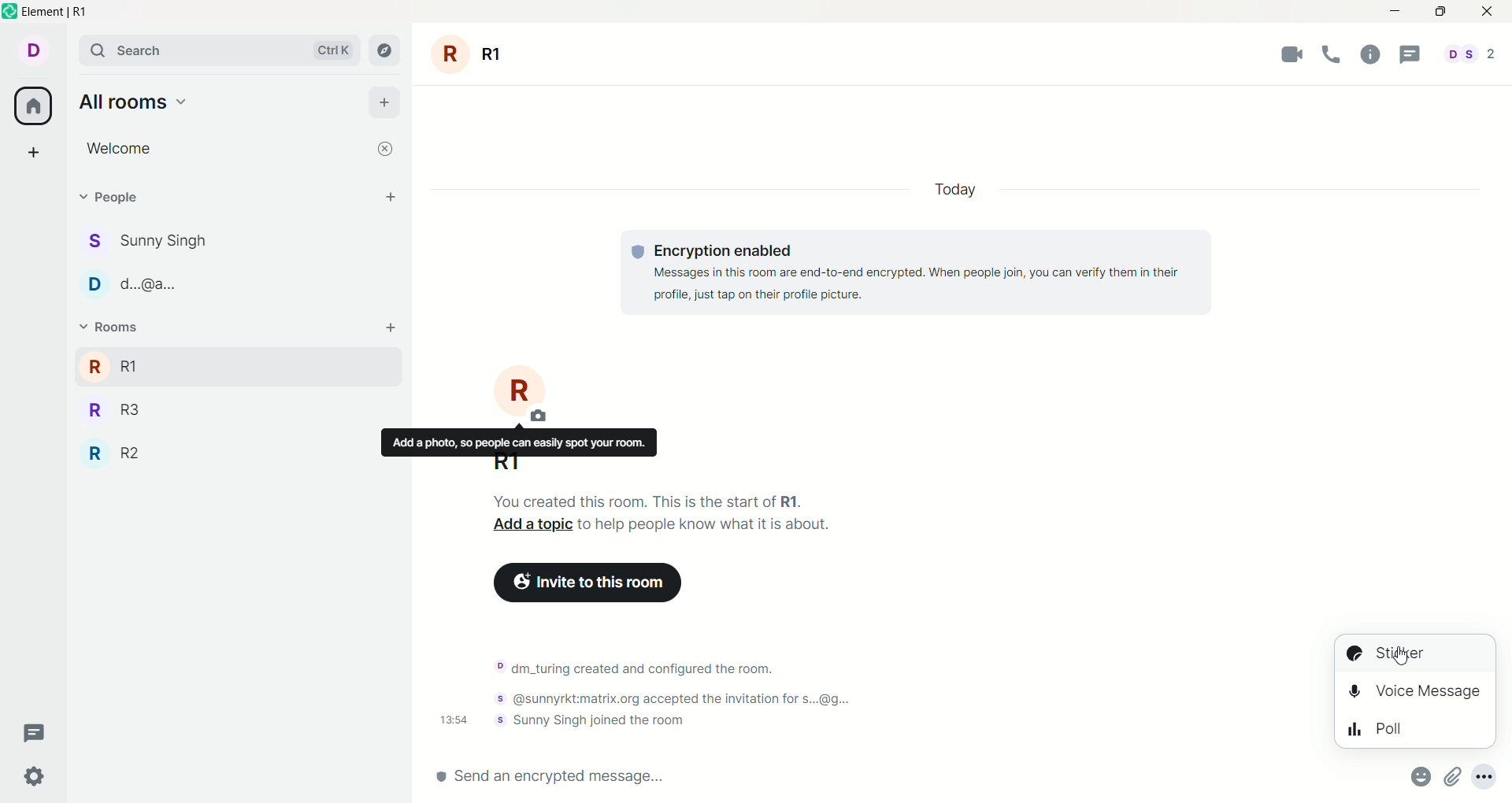 Image resolution: width=1512 pixels, height=803 pixels. Describe the element at coordinates (32, 105) in the screenshot. I see `home` at that location.